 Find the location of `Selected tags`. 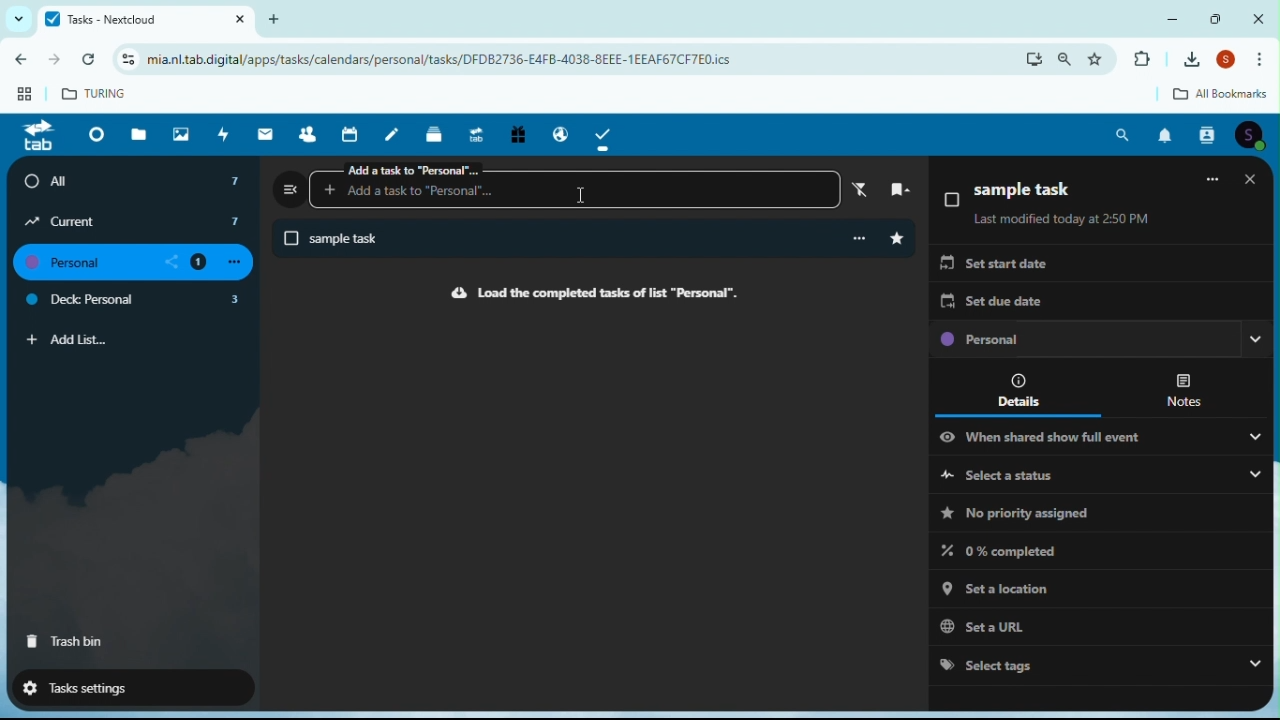

Selected tags is located at coordinates (1097, 663).